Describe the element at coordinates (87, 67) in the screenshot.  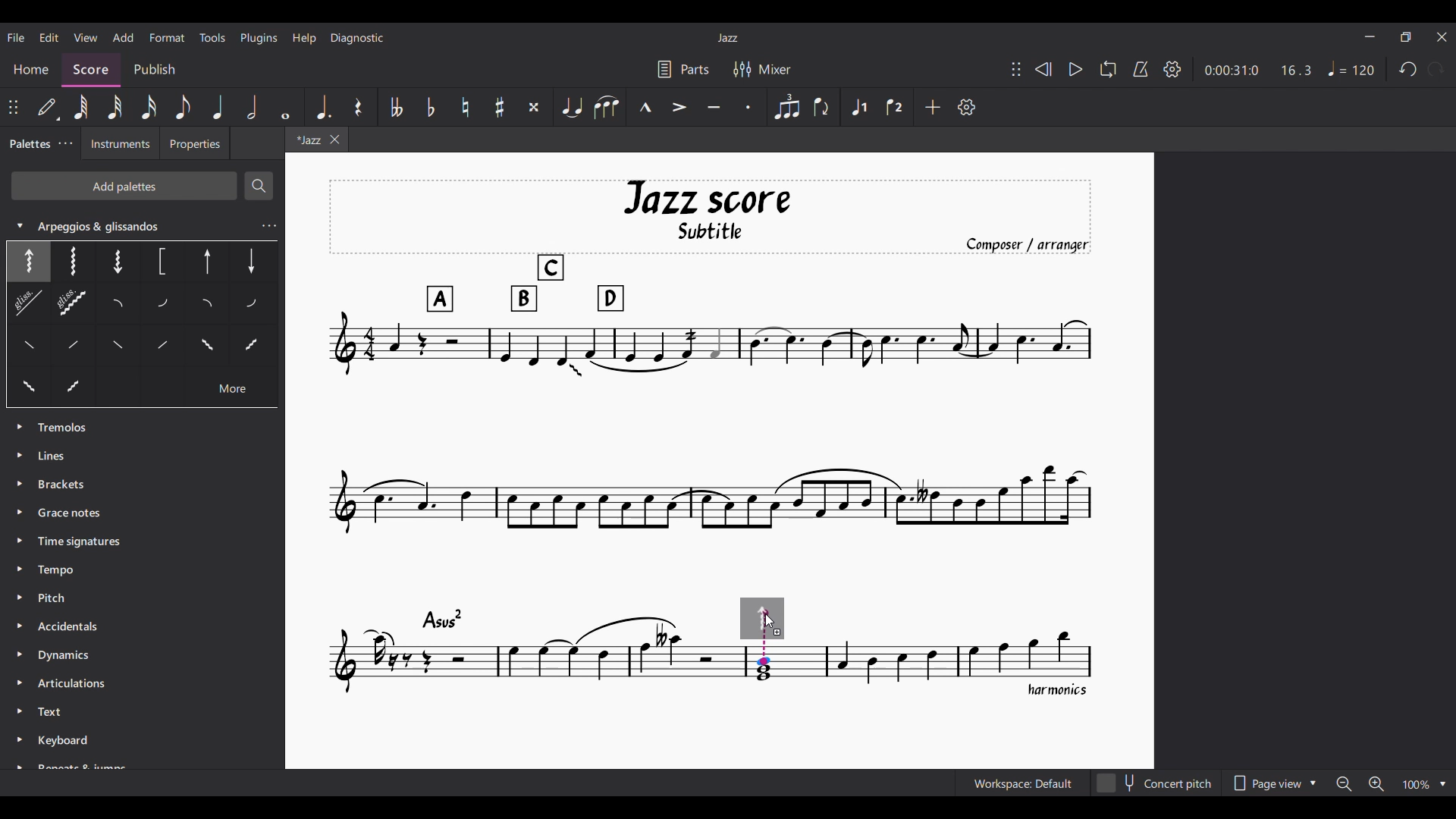
I see `Score, current section highlighted` at that location.